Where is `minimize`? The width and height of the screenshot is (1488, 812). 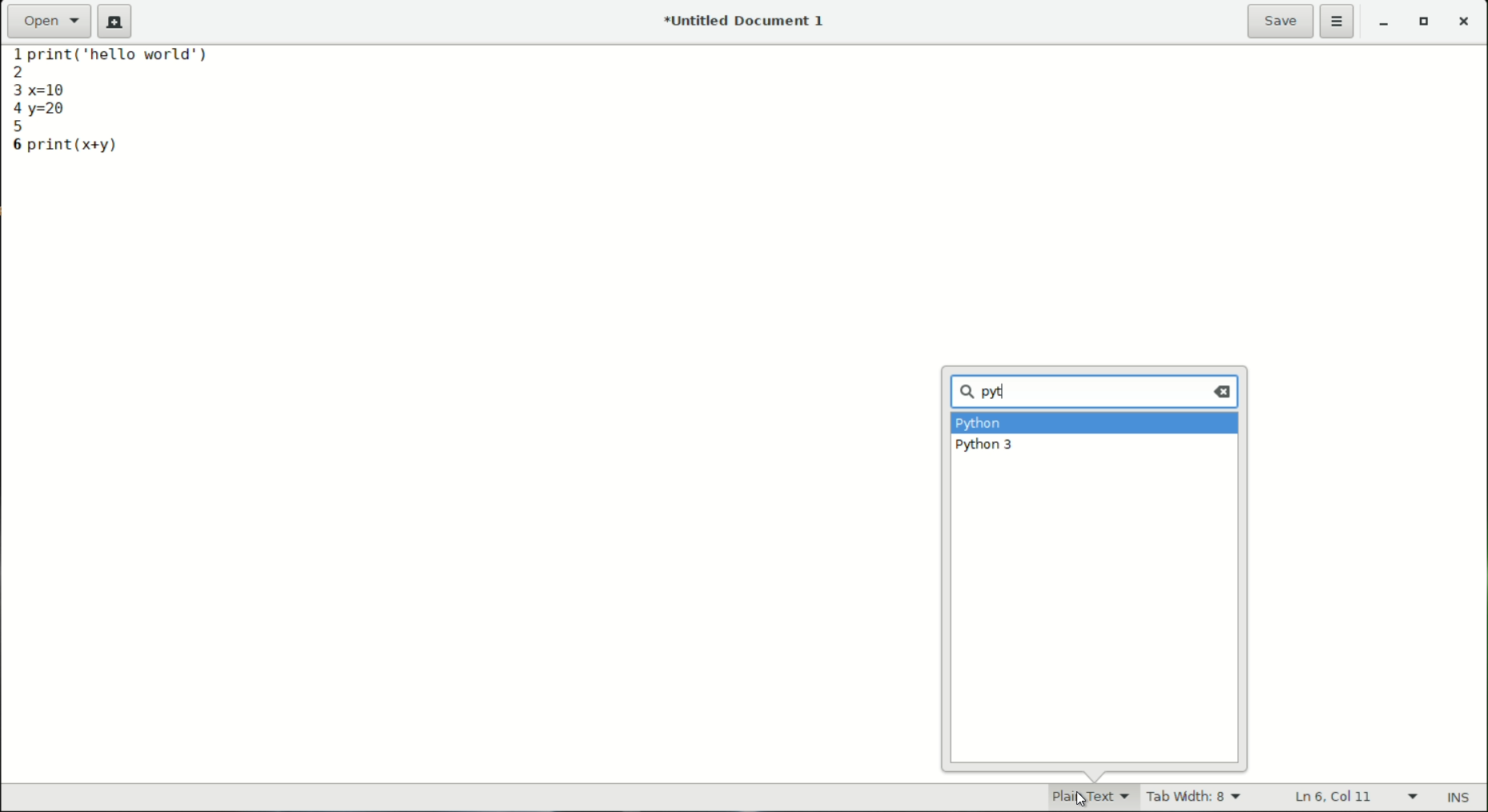 minimize is located at coordinates (1385, 24).